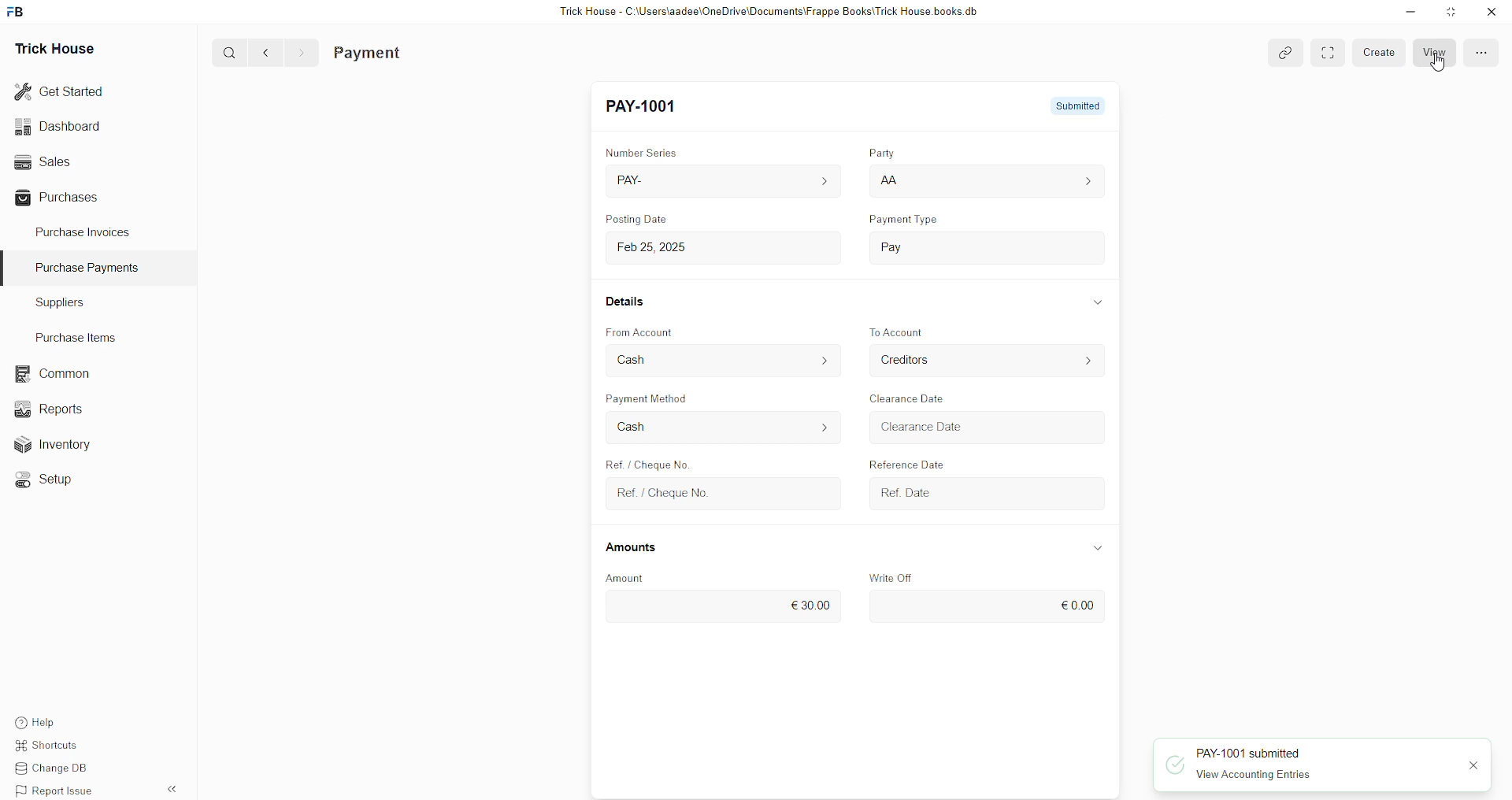  What do you see at coordinates (1450, 13) in the screenshot?
I see `minimise window` at bounding box center [1450, 13].